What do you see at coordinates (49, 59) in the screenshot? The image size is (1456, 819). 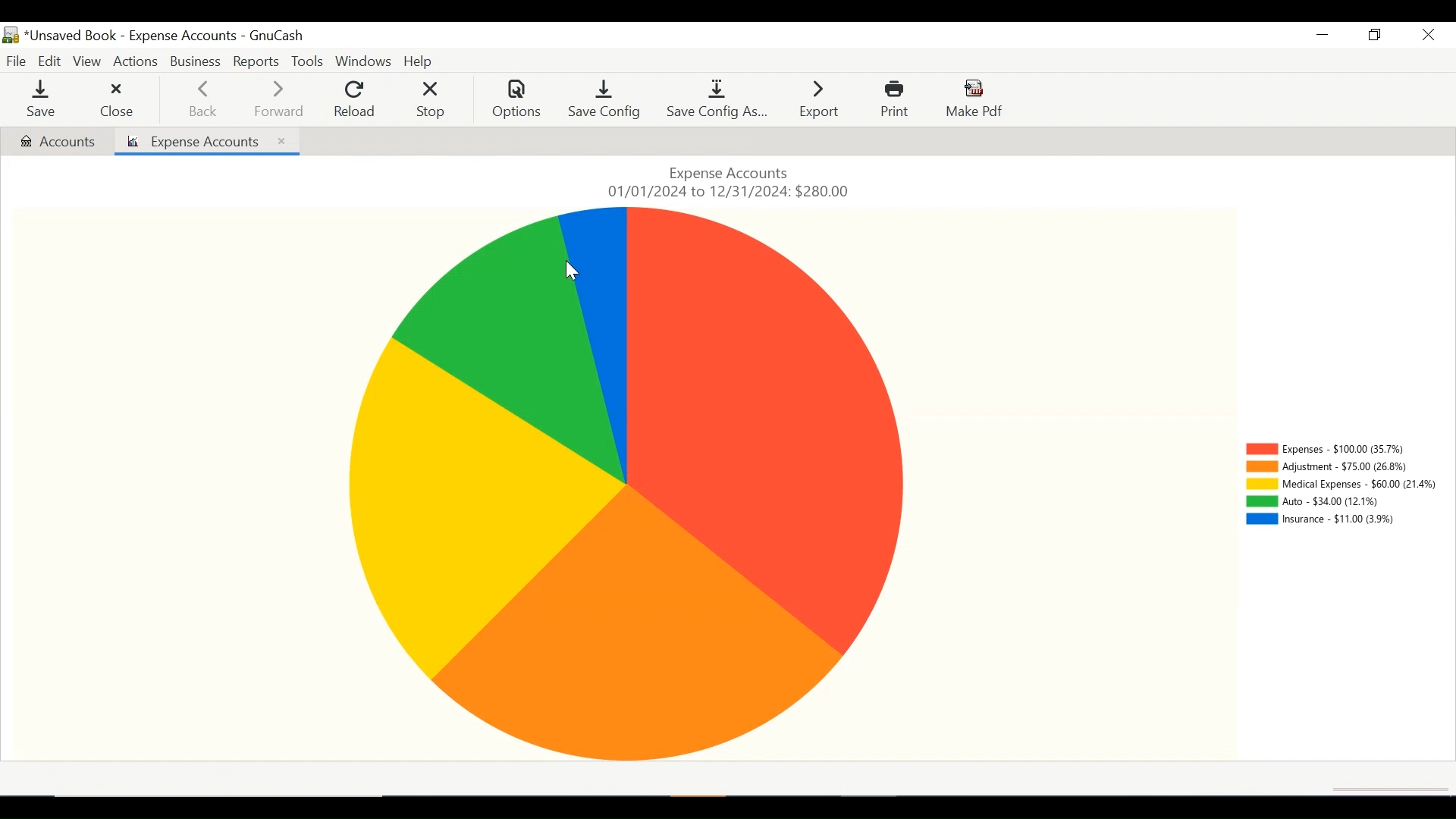 I see `Edit` at bounding box center [49, 59].